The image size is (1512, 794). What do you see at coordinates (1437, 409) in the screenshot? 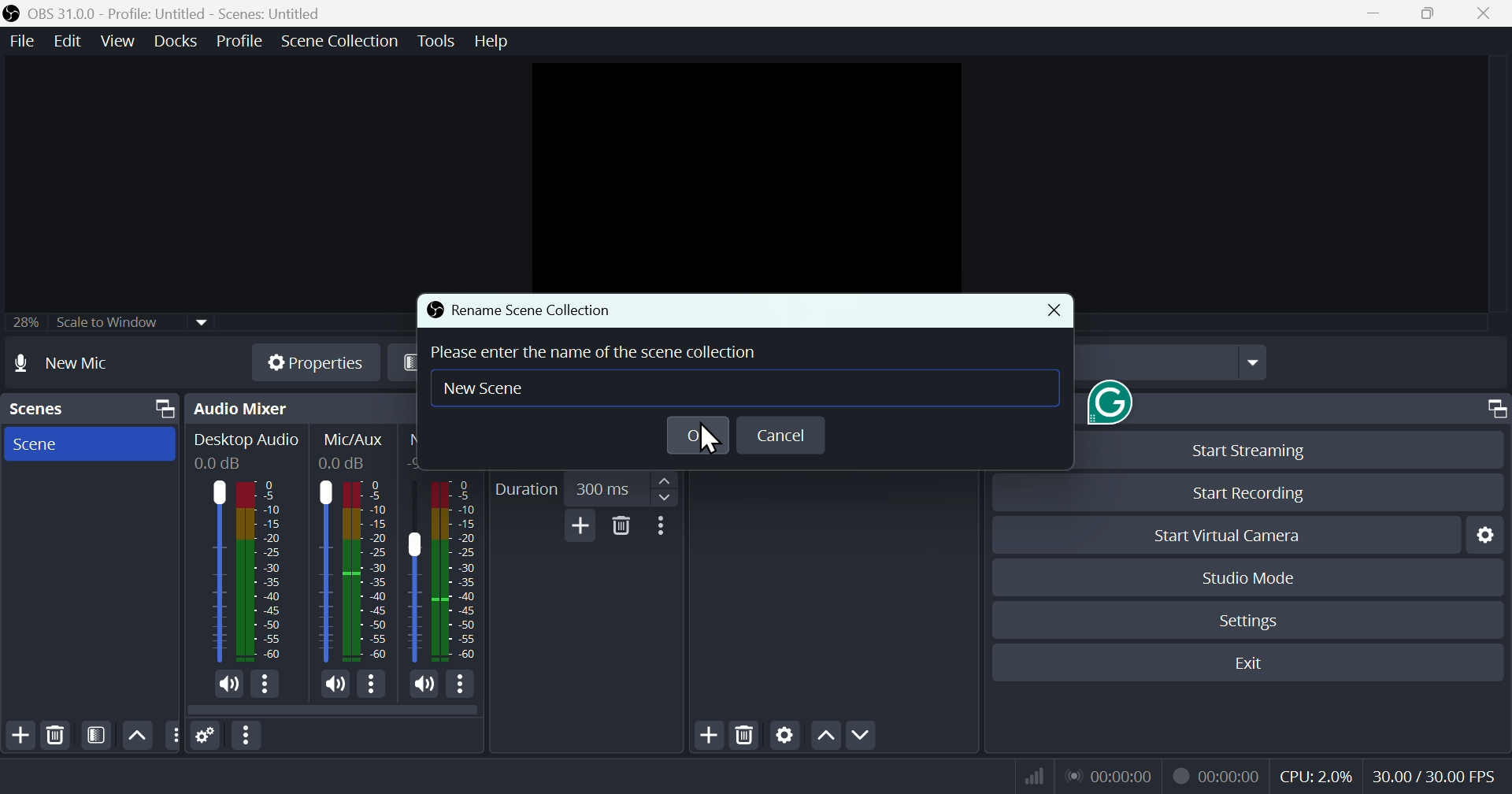
I see `controls` at bounding box center [1437, 409].